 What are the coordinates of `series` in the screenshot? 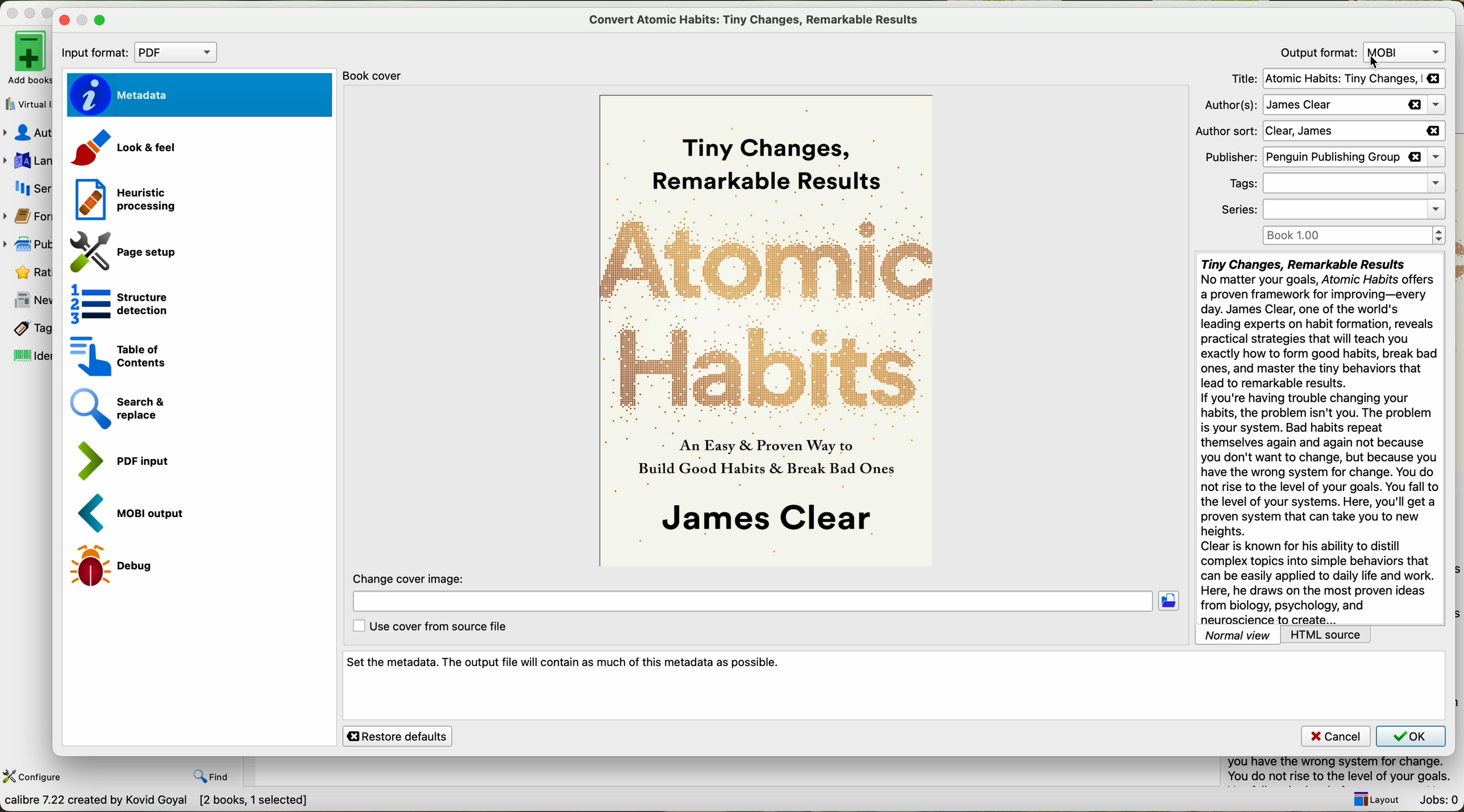 It's located at (27, 188).